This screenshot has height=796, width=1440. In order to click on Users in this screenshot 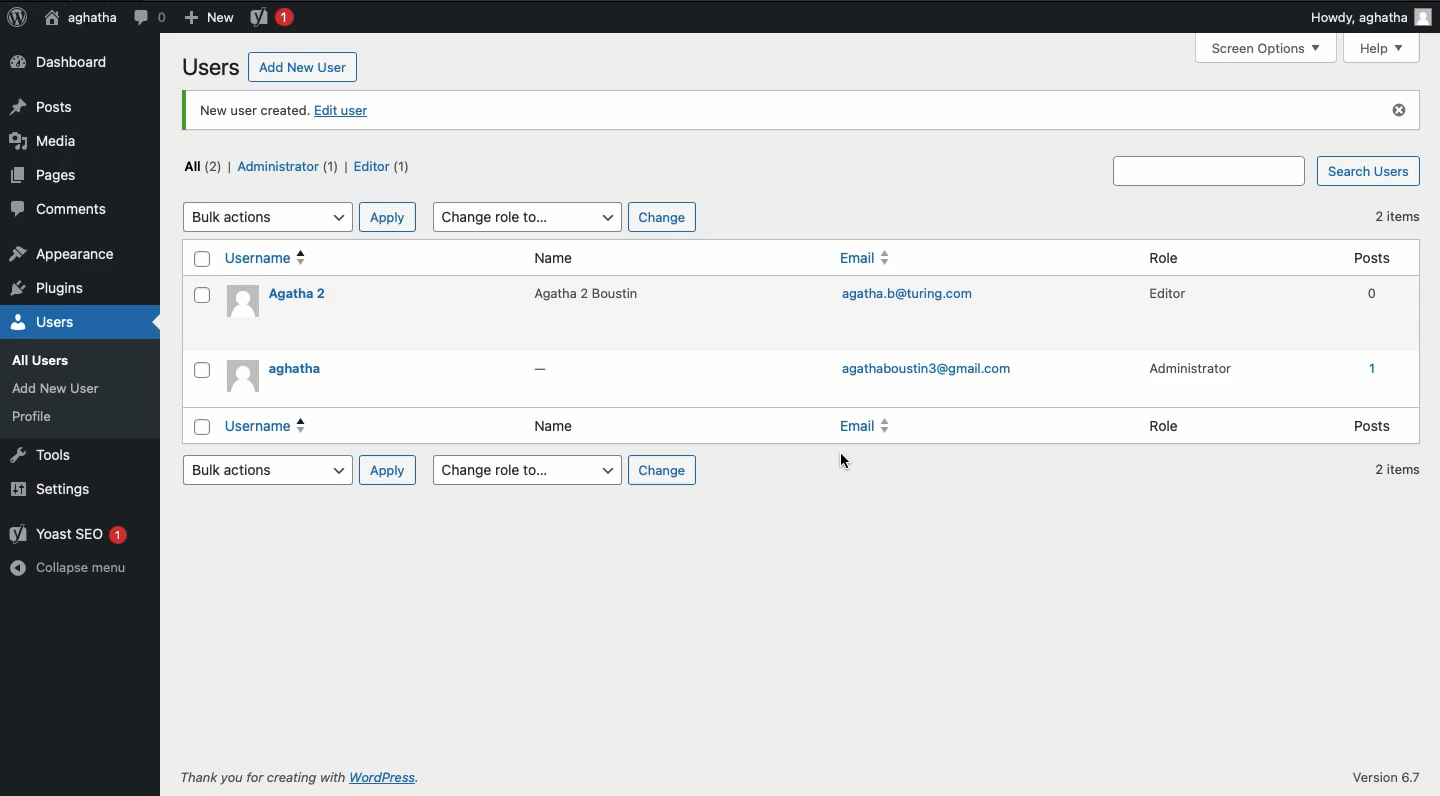, I will do `click(208, 66)`.